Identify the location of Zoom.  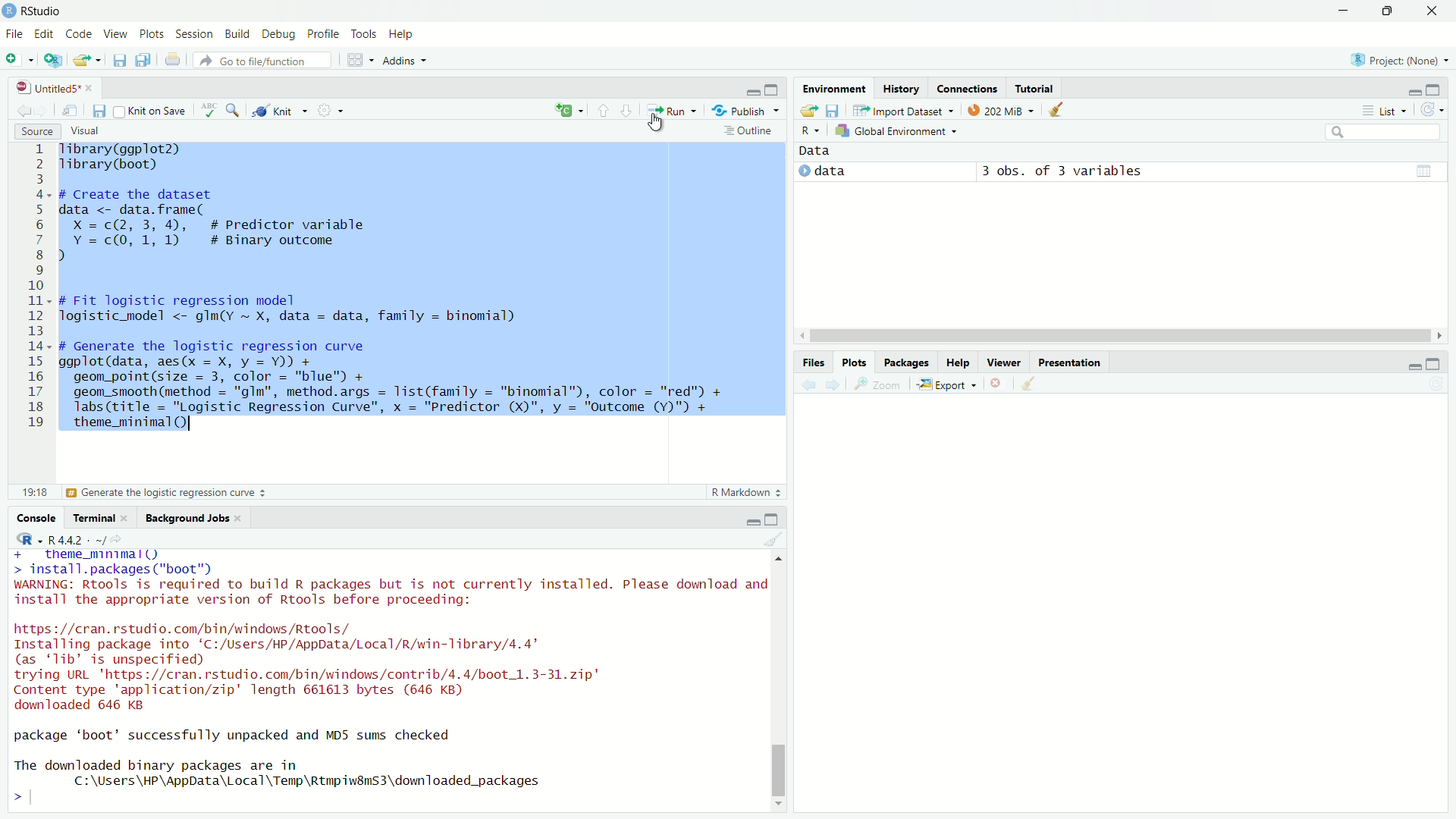
(876, 384).